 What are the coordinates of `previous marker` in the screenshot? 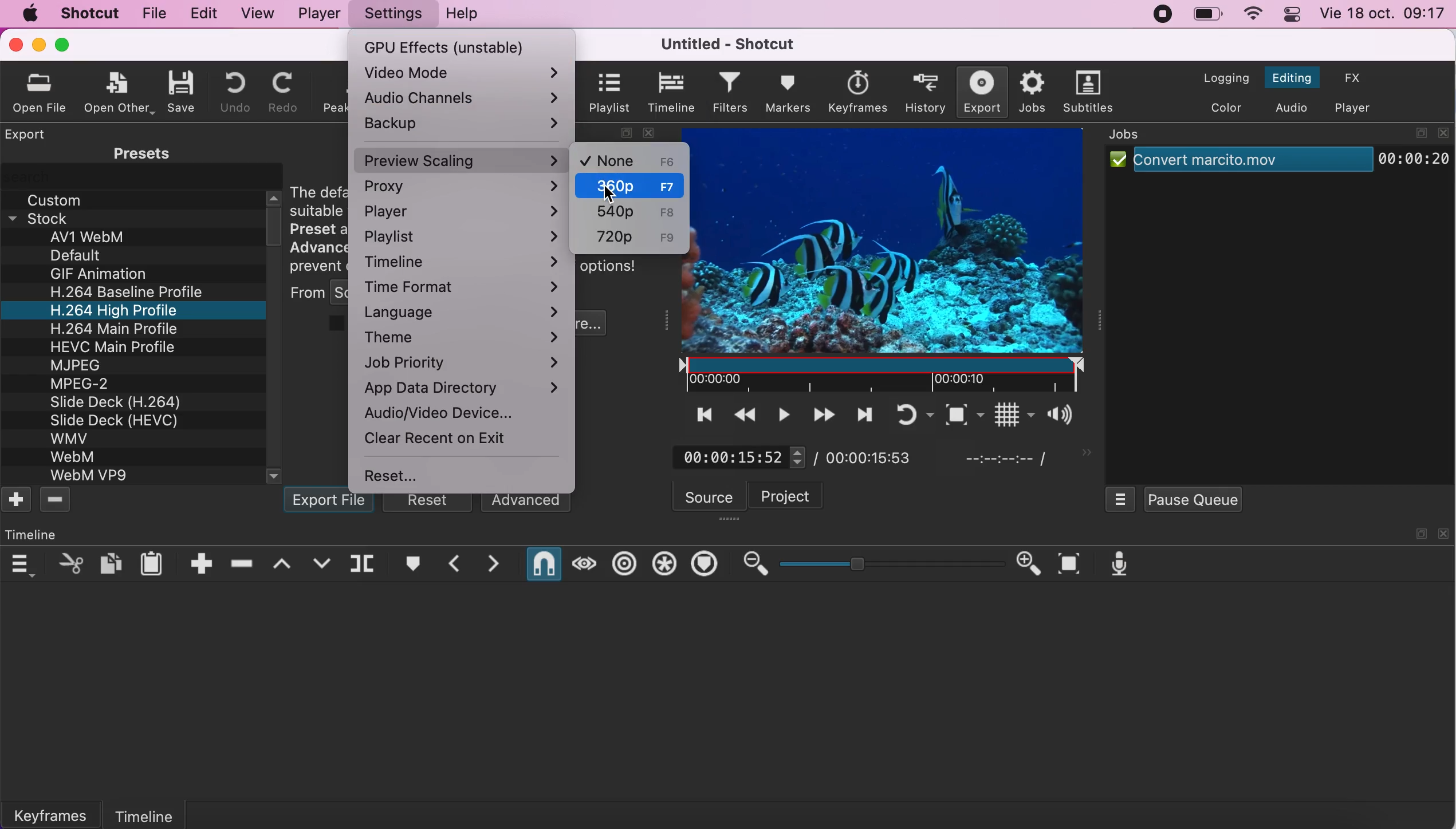 It's located at (451, 564).